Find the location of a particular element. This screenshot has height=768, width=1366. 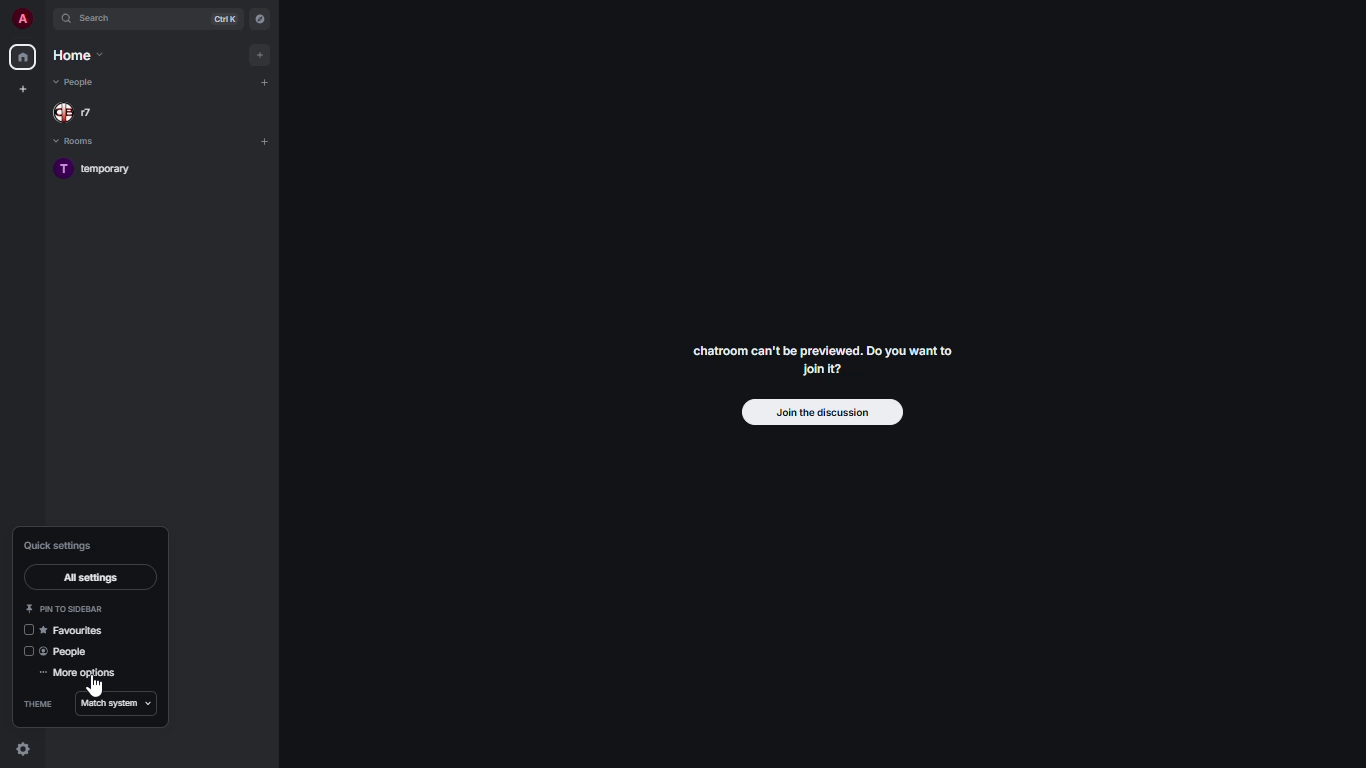

people is located at coordinates (68, 650).